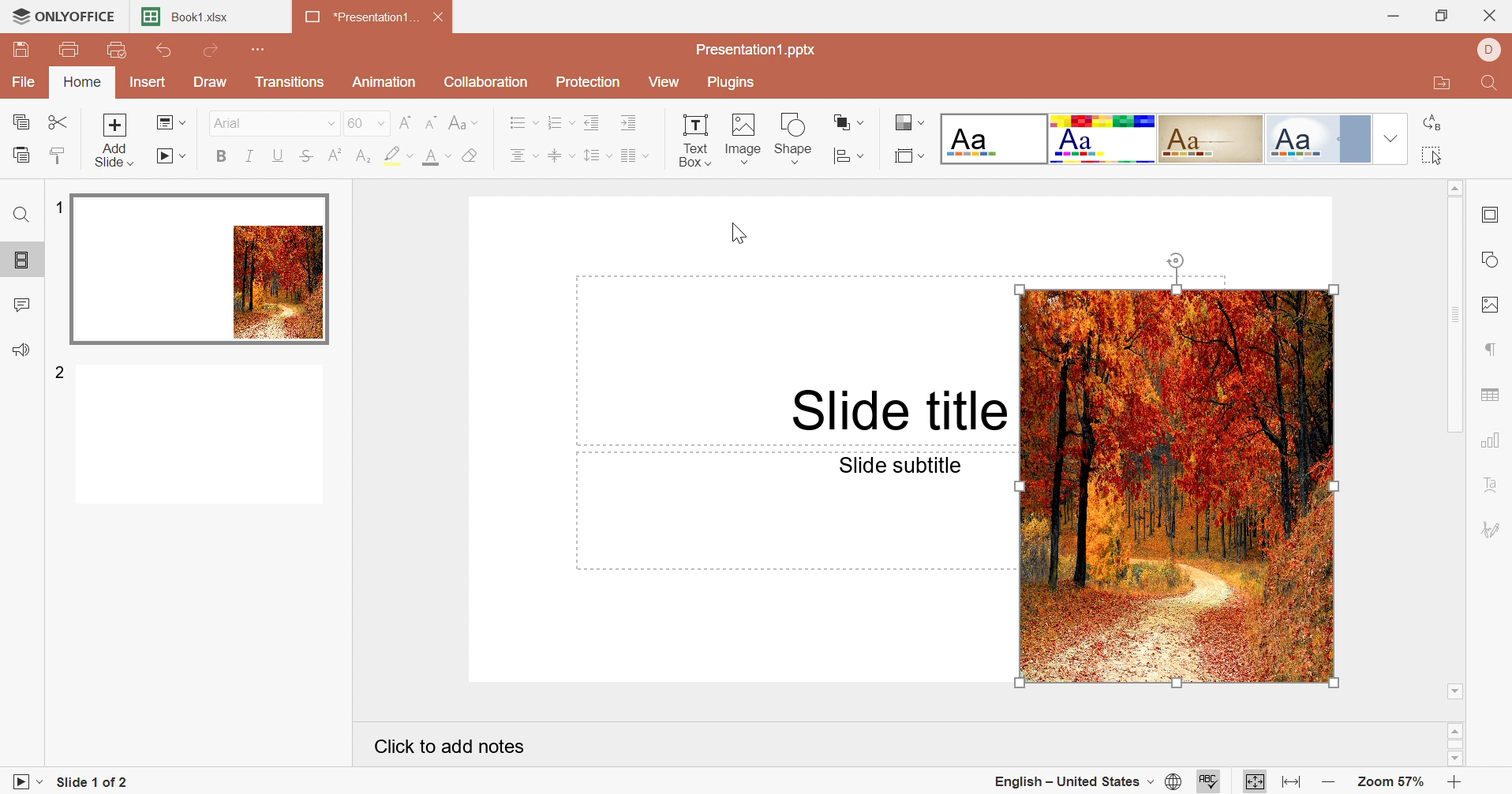 This screenshot has width=1512, height=794. Describe the element at coordinates (1173, 784) in the screenshot. I see `Set document language` at that location.